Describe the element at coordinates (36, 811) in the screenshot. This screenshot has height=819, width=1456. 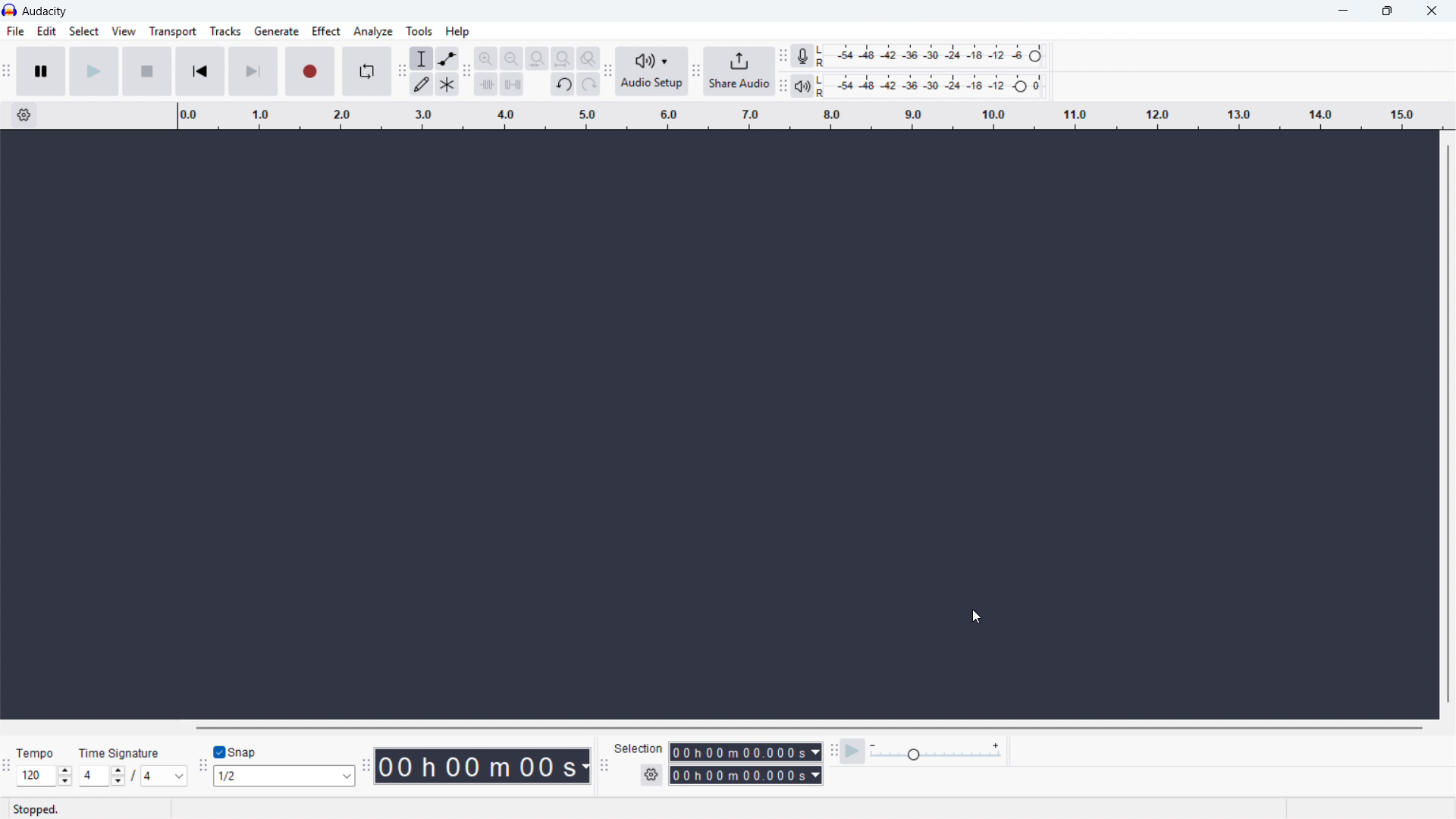
I see `stopped` at that location.